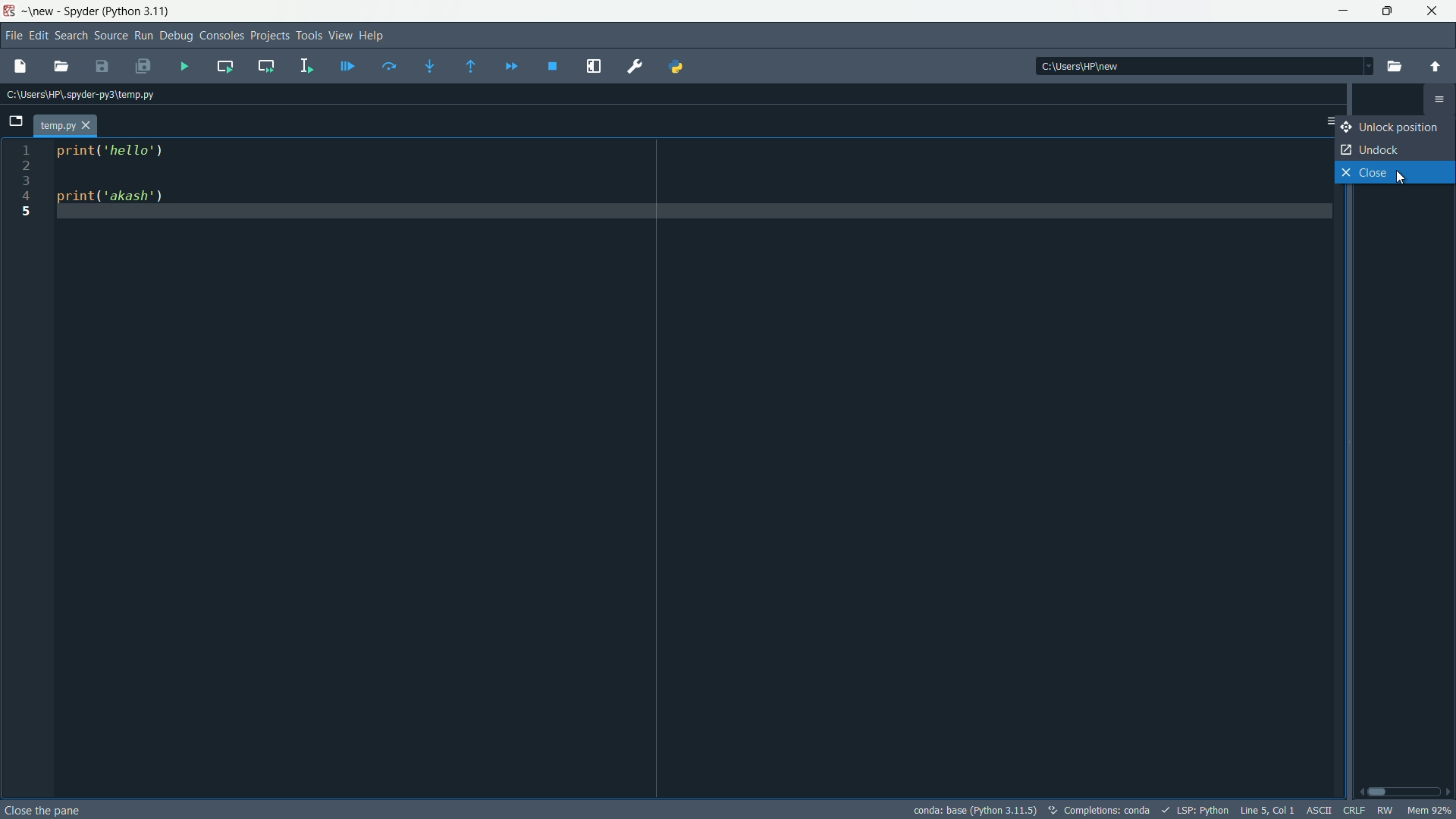 The height and width of the screenshot is (819, 1456). What do you see at coordinates (1432, 11) in the screenshot?
I see `close app` at bounding box center [1432, 11].